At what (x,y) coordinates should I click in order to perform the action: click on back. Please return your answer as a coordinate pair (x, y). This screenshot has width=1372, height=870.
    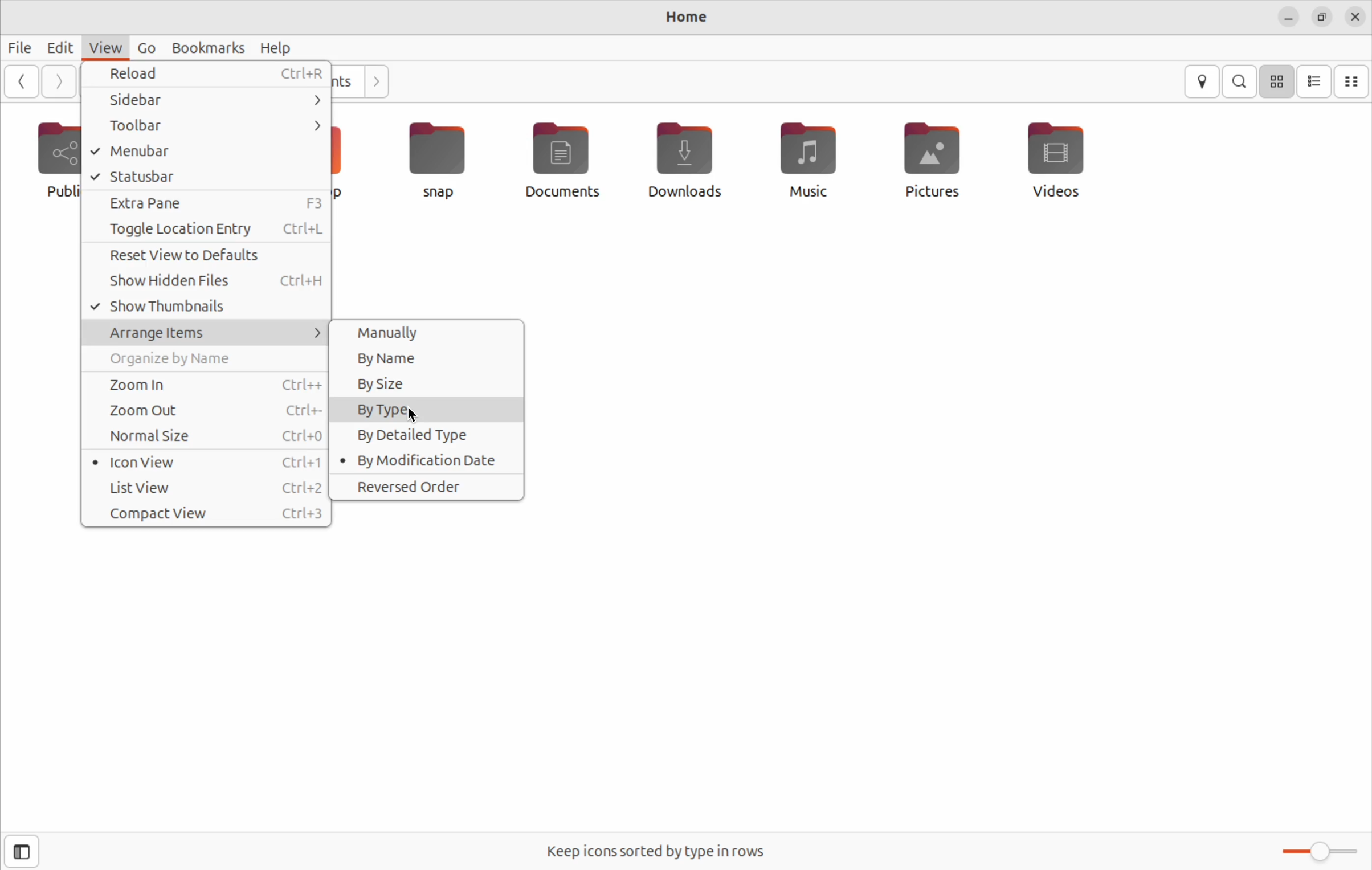
    Looking at the image, I should click on (22, 83).